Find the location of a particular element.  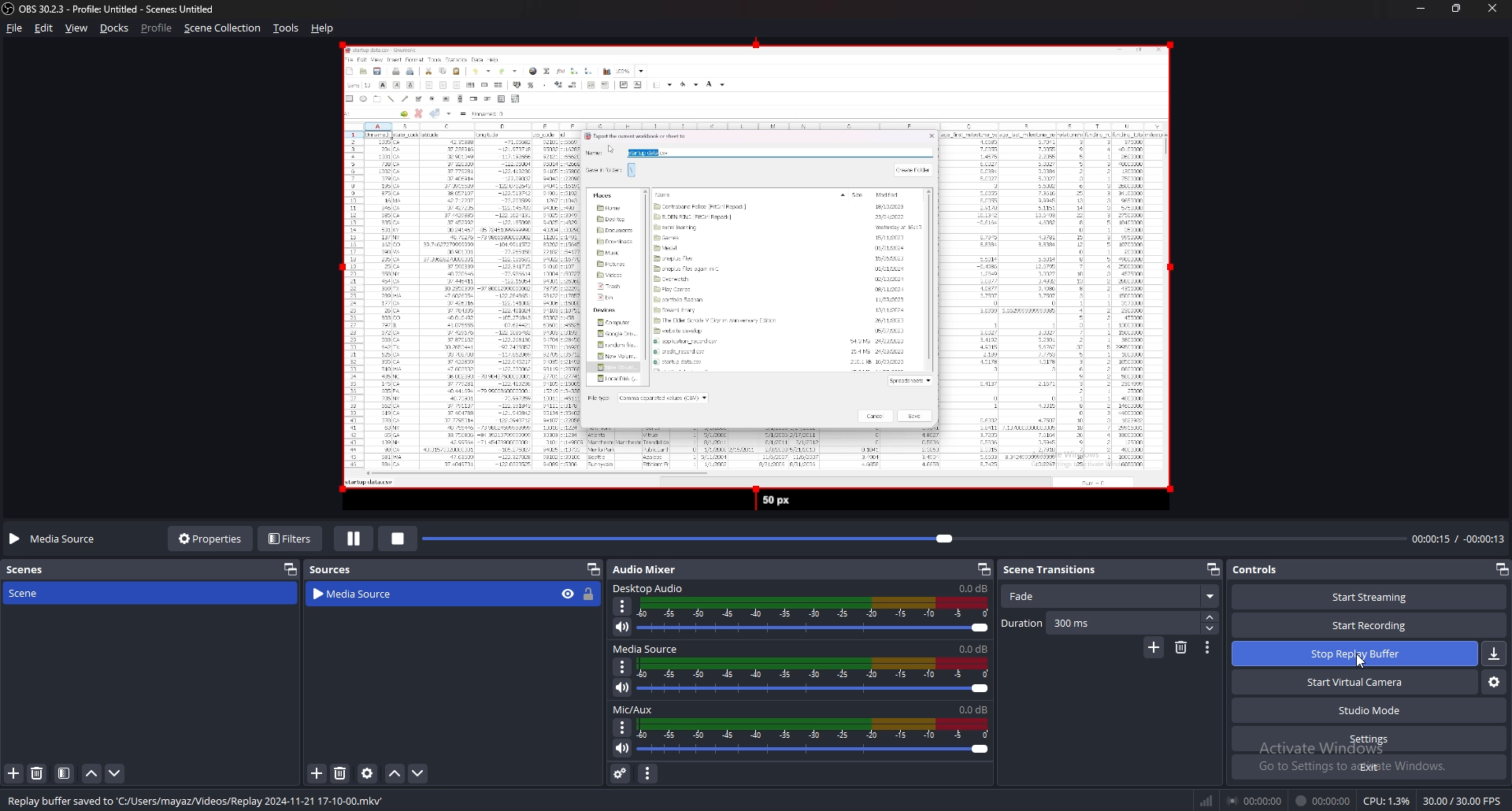

media source is located at coordinates (57, 539).